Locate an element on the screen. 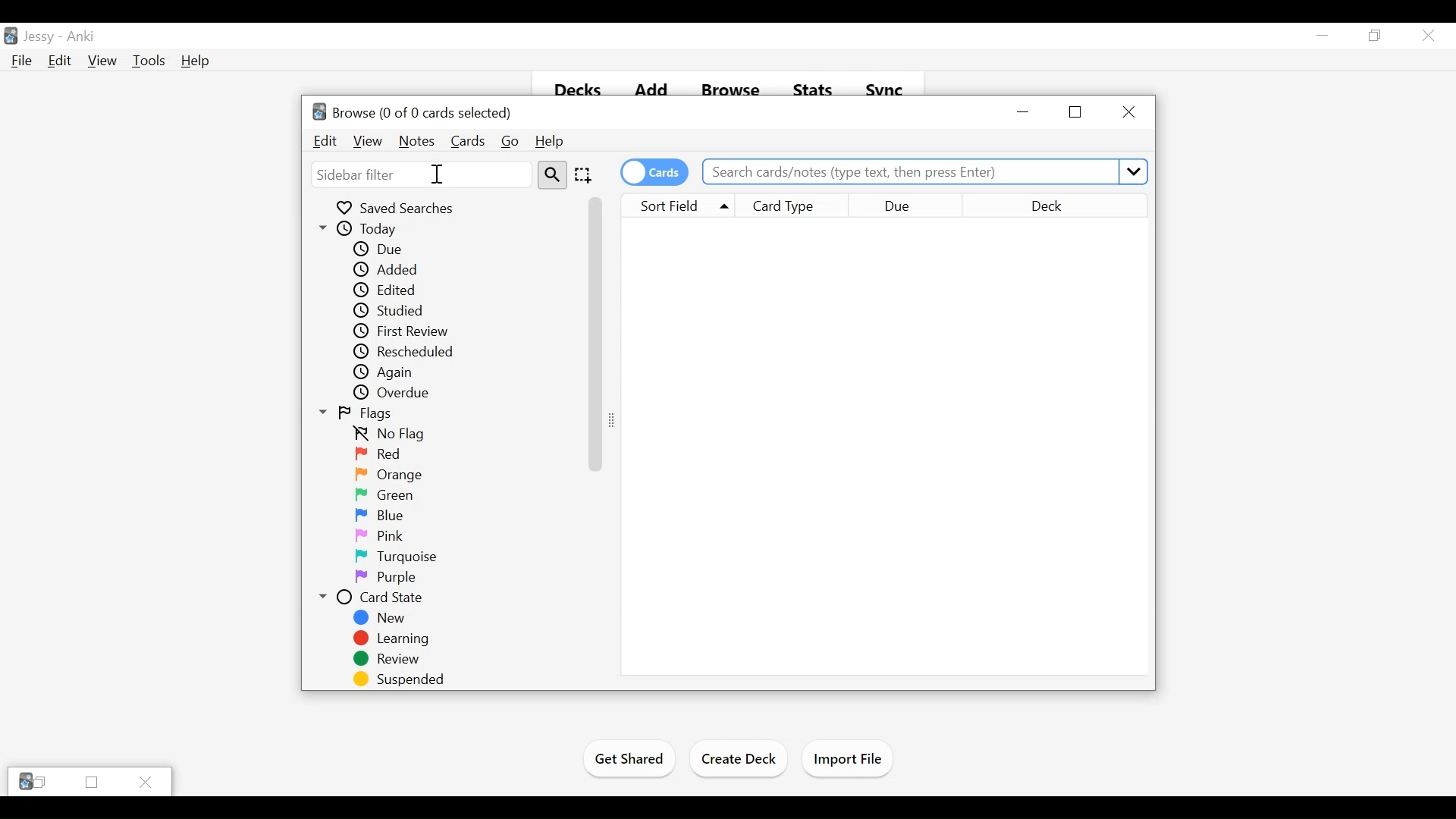 The width and height of the screenshot is (1456, 819). Added is located at coordinates (384, 270).